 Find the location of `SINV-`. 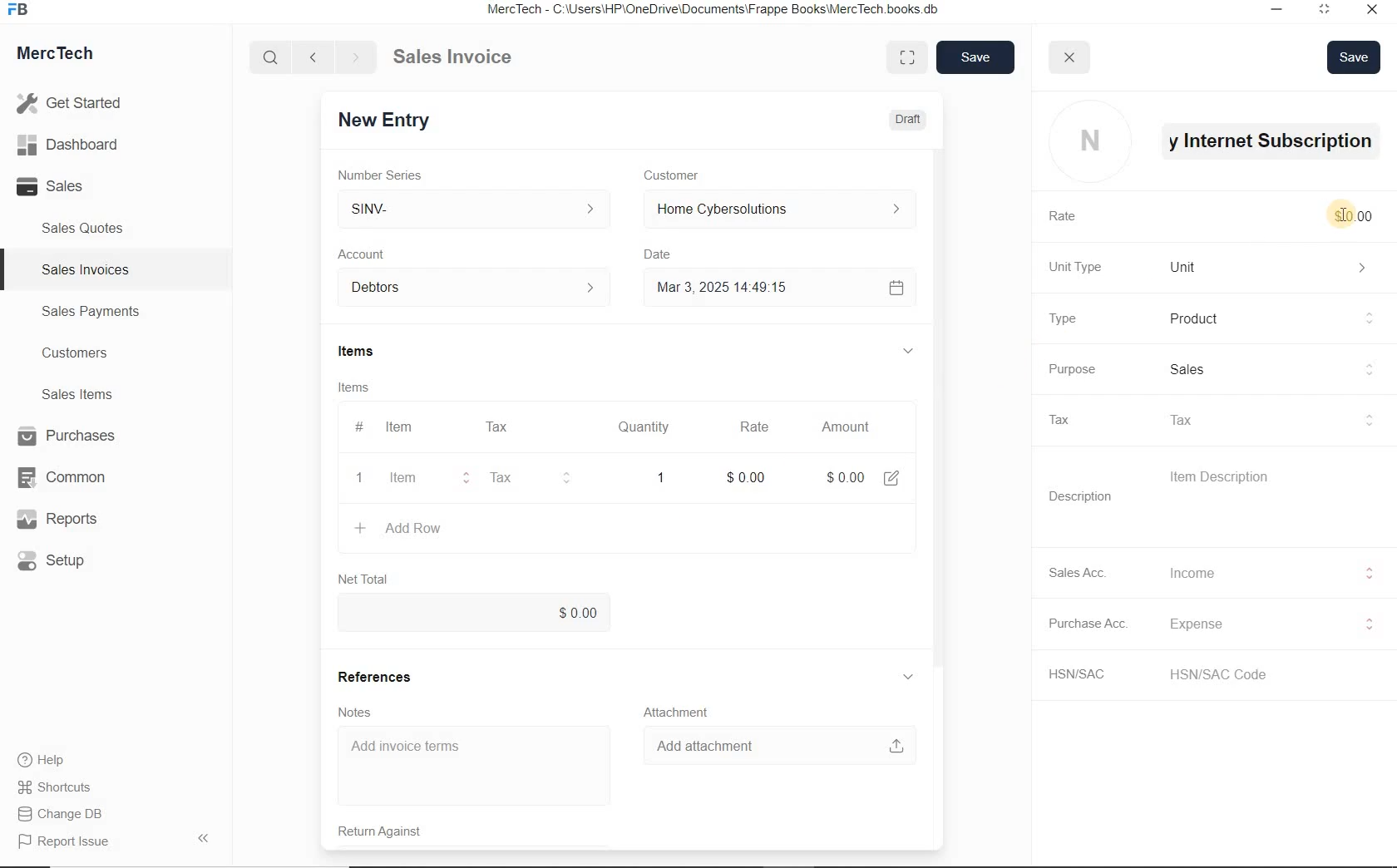

SINV- is located at coordinates (474, 209).